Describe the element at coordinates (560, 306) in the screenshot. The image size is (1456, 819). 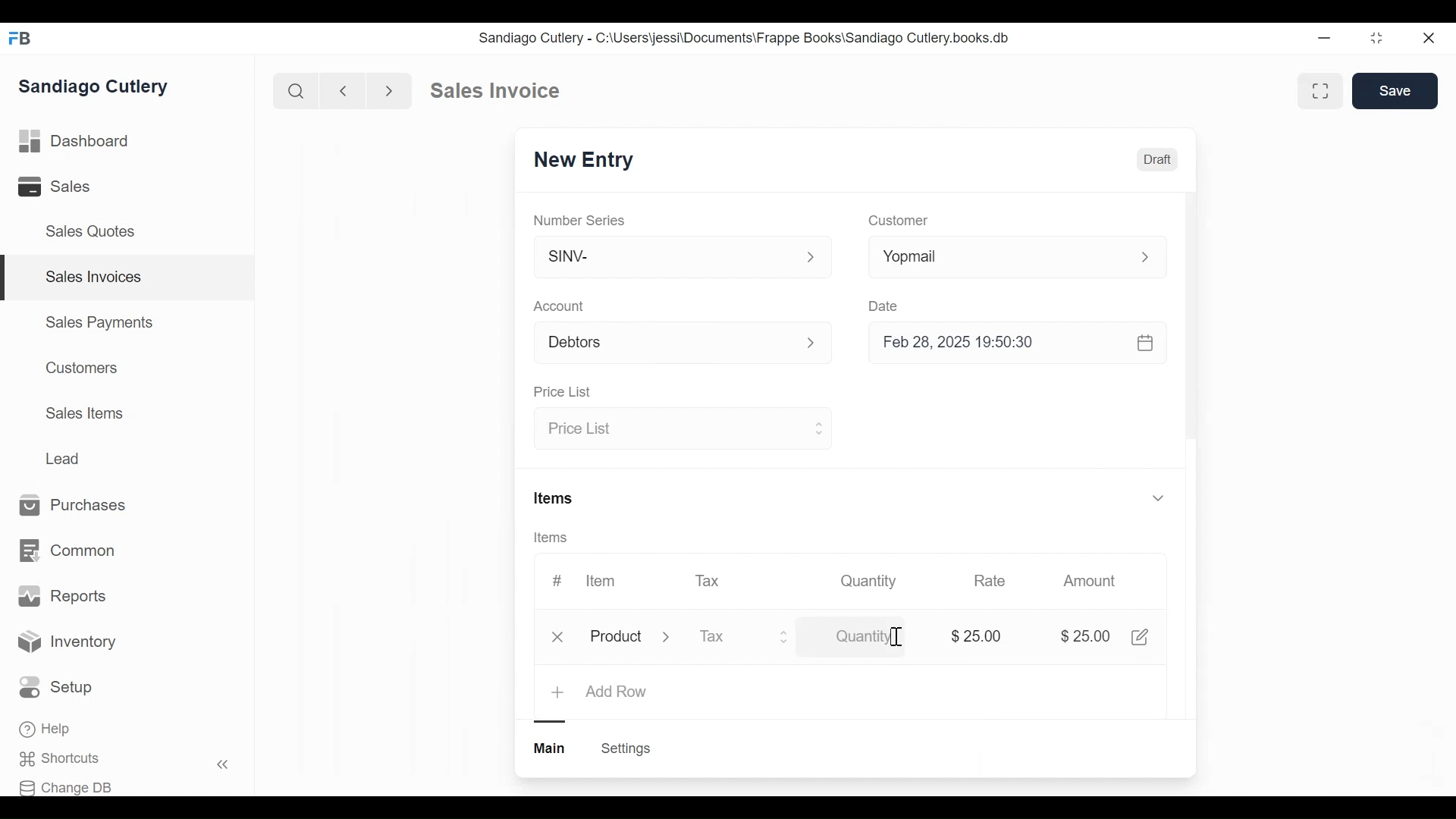
I see `Account` at that location.